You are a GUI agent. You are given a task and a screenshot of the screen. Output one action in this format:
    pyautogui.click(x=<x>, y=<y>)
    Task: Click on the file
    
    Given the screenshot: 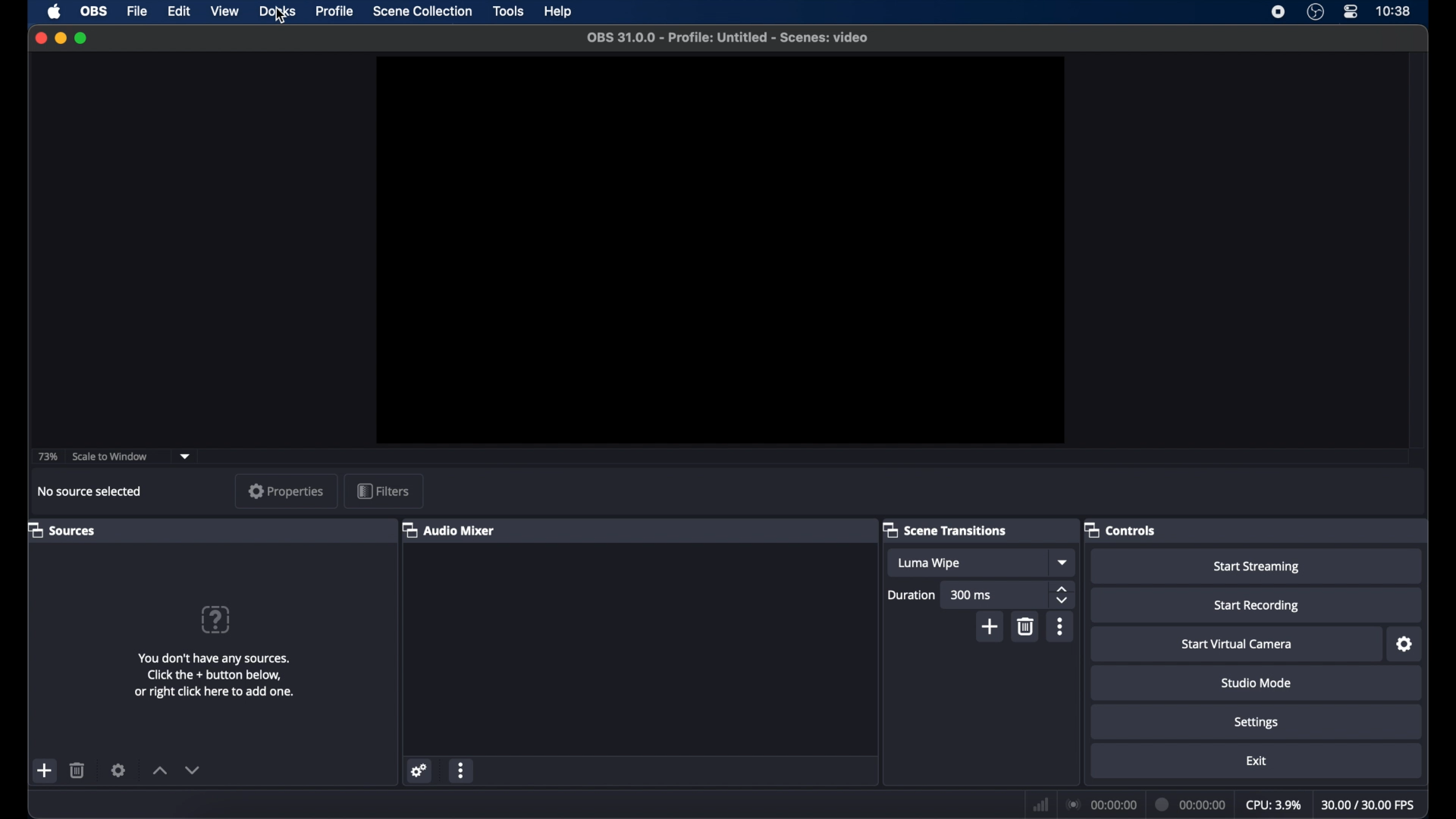 What is the action you would take?
    pyautogui.click(x=137, y=11)
    